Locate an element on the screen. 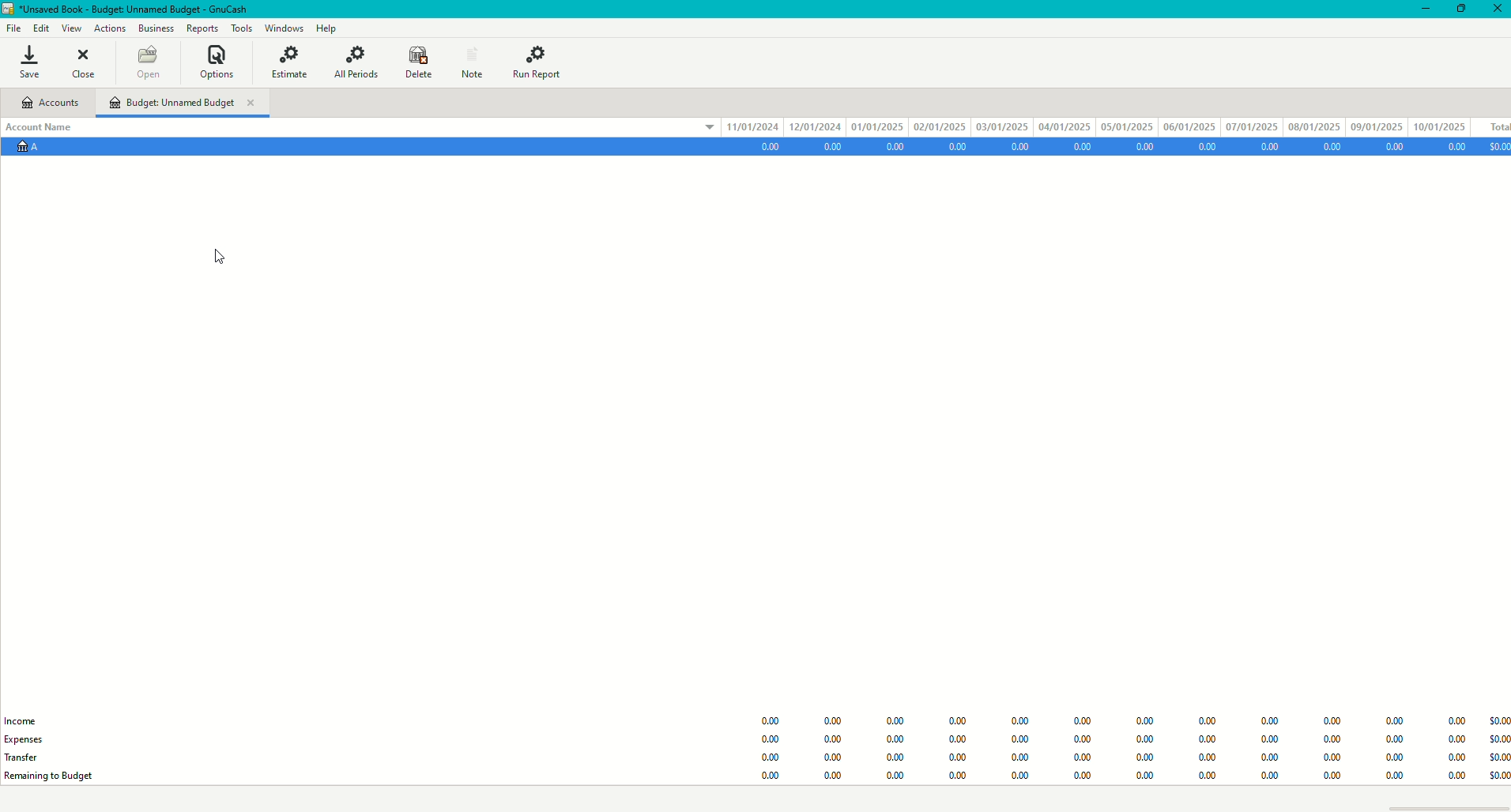  Minimize is located at coordinates (1425, 8).